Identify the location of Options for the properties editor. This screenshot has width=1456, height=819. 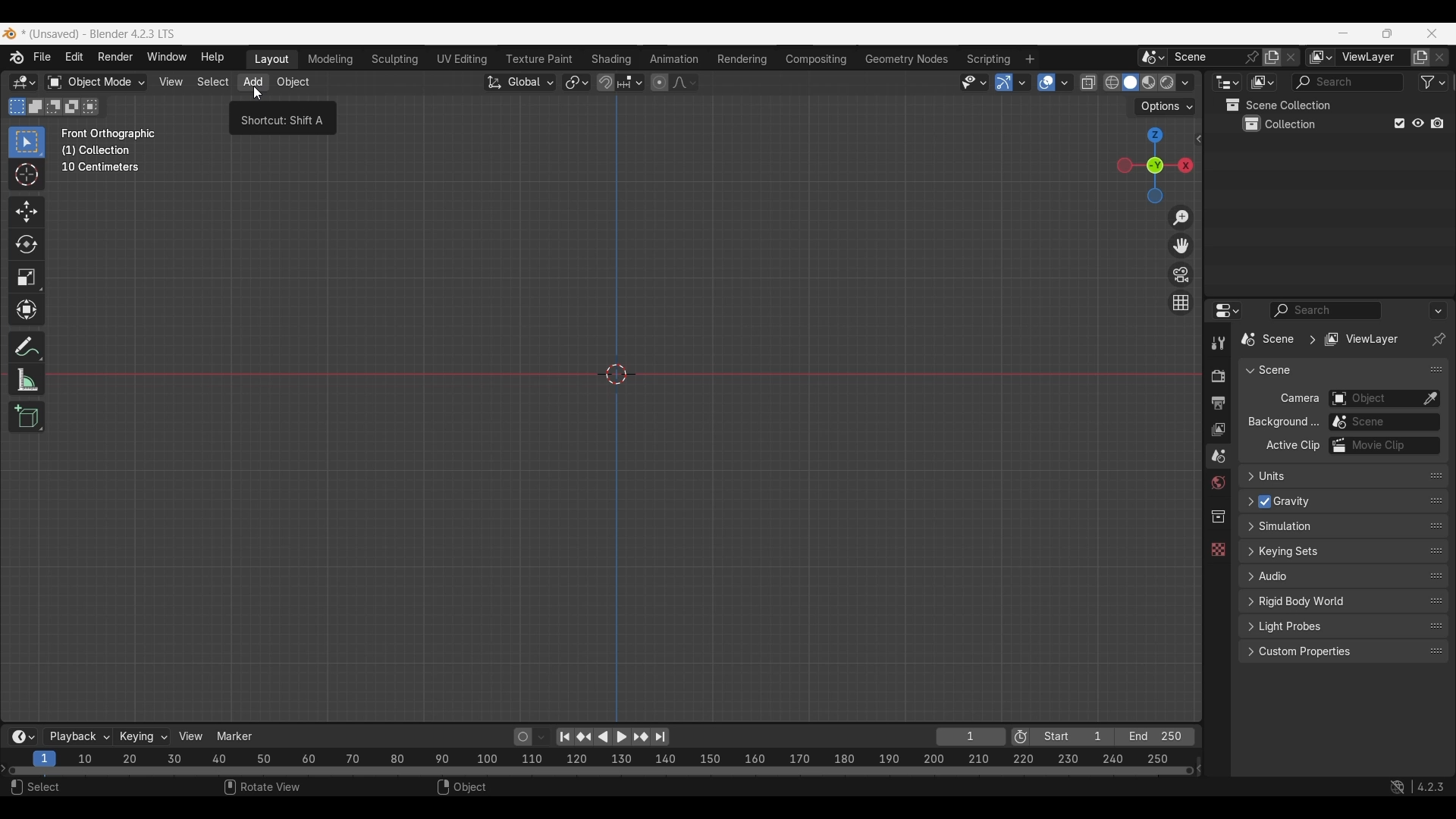
(1439, 310).